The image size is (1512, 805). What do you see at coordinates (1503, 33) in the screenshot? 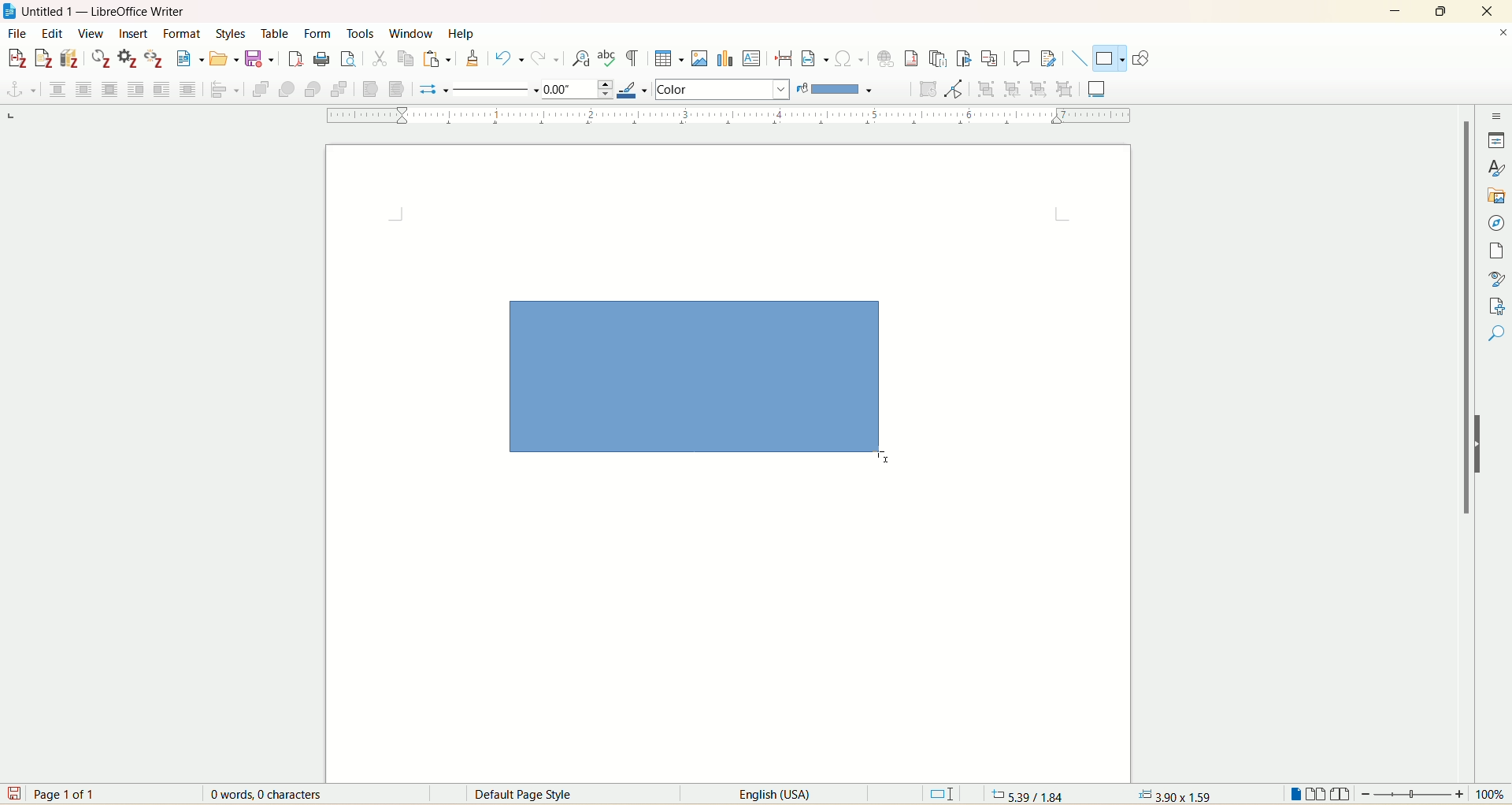
I see `close document` at bounding box center [1503, 33].